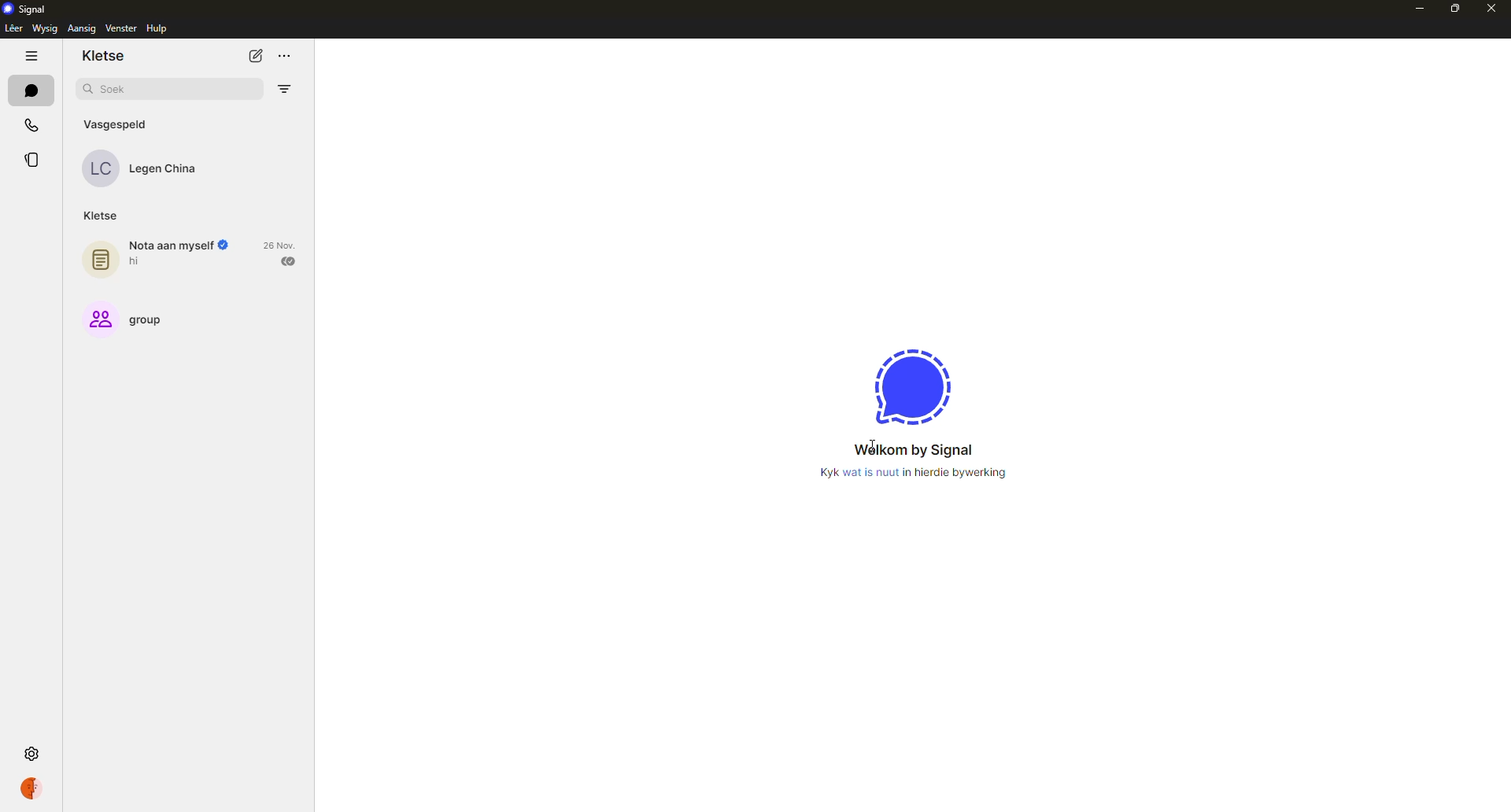 The height and width of the screenshot is (812, 1511). I want to click on calls, so click(33, 124).